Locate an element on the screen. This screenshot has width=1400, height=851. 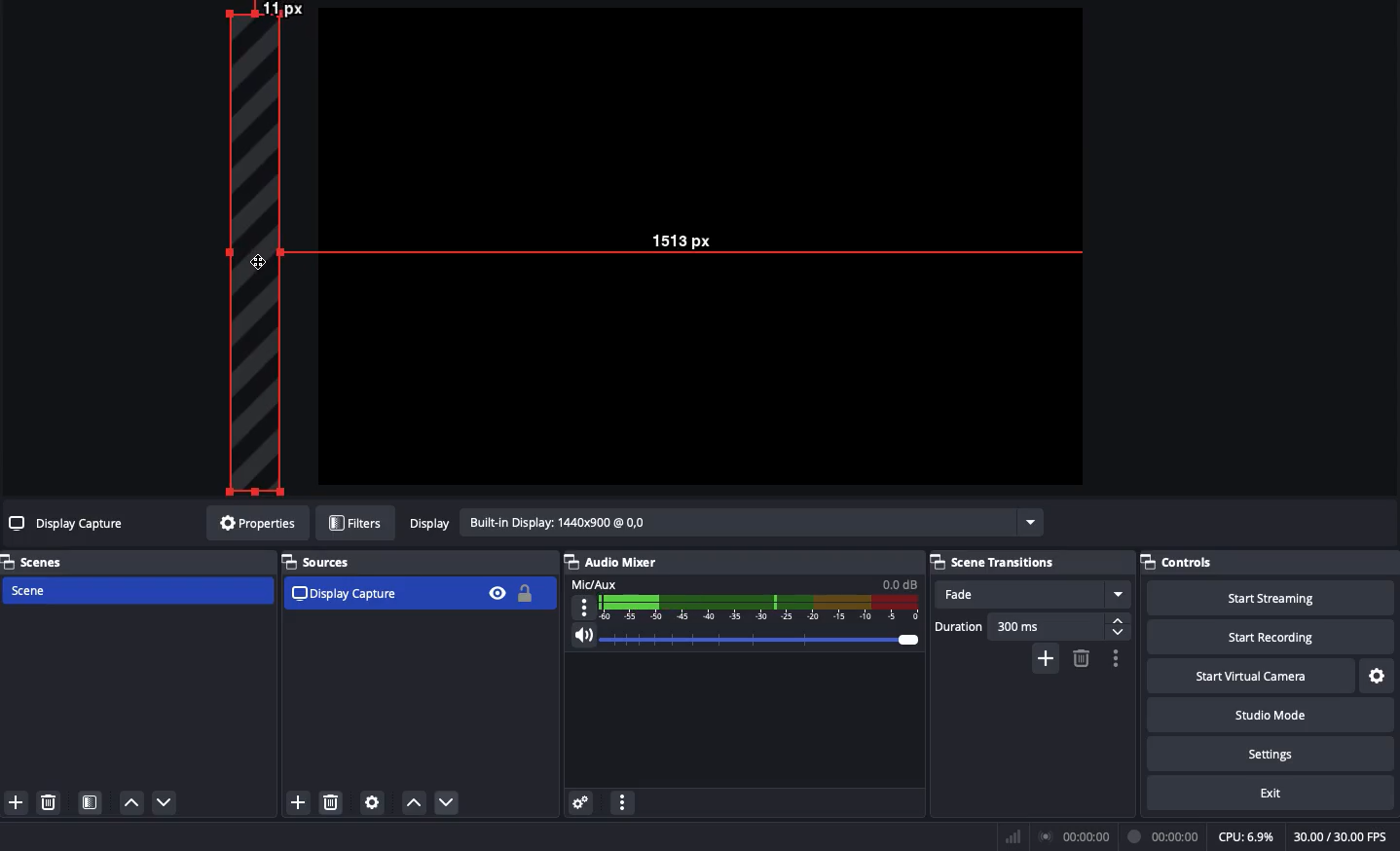
Source properties is located at coordinates (371, 803).